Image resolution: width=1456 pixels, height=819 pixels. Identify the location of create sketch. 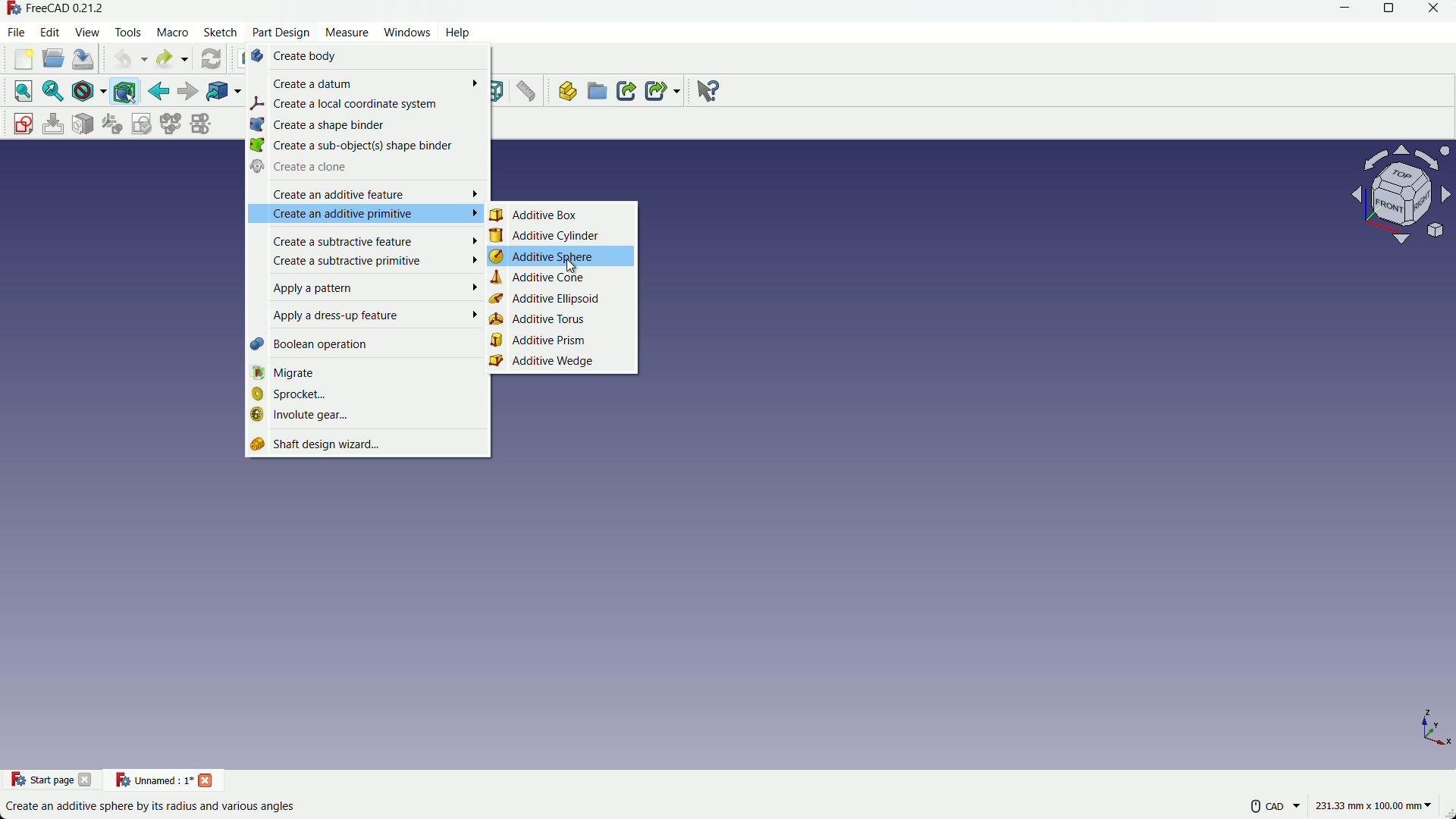
(24, 124).